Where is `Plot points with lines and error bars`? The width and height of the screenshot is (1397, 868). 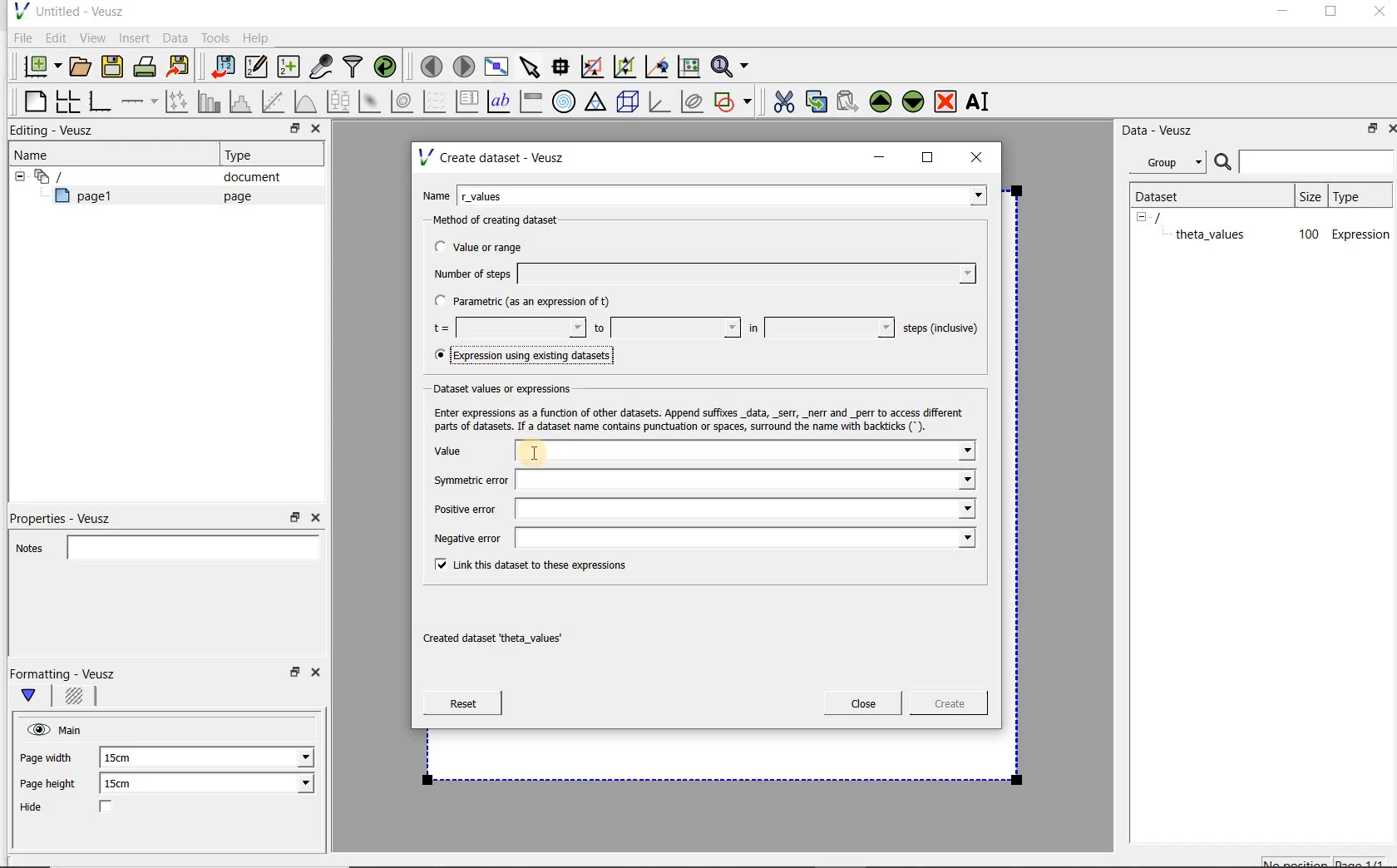 Plot points with lines and error bars is located at coordinates (178, 101).